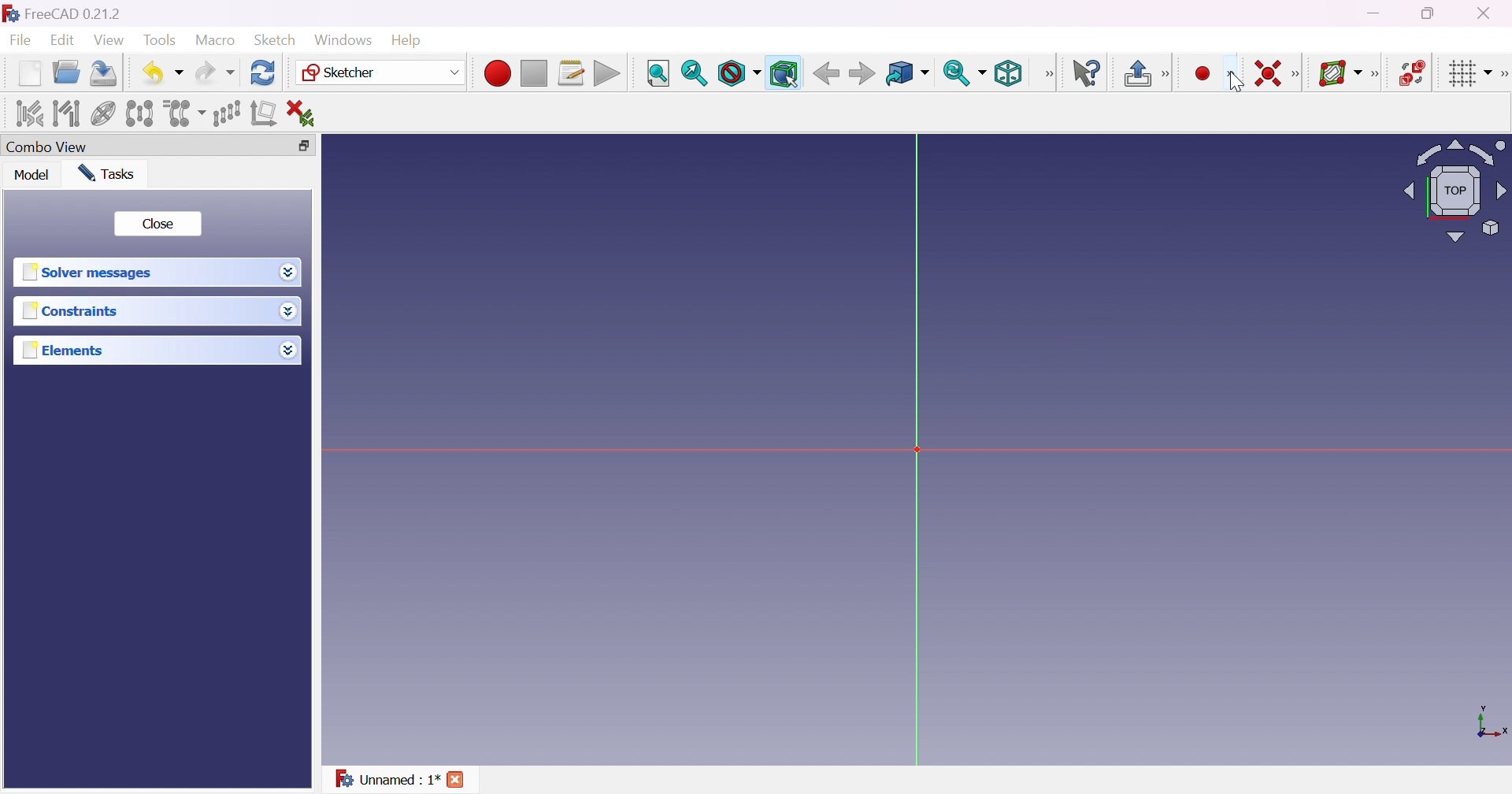  I want to click on Tools, so click(161, 41).